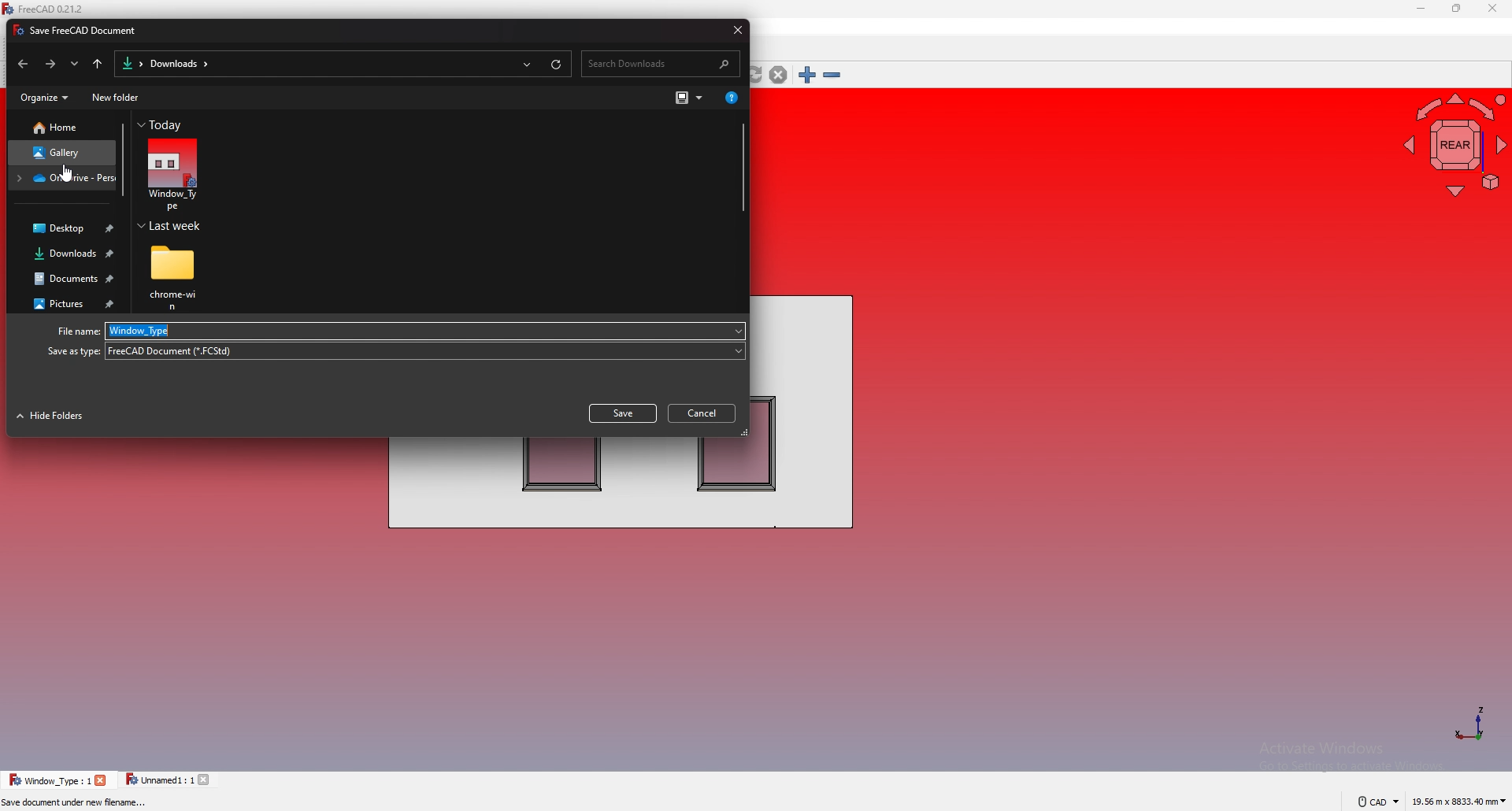 Image resolution: width=1512 pixels, height=811 pixels. Describe the element at coordinates (527, 63) in the screenshot. I see `recent` at that location.